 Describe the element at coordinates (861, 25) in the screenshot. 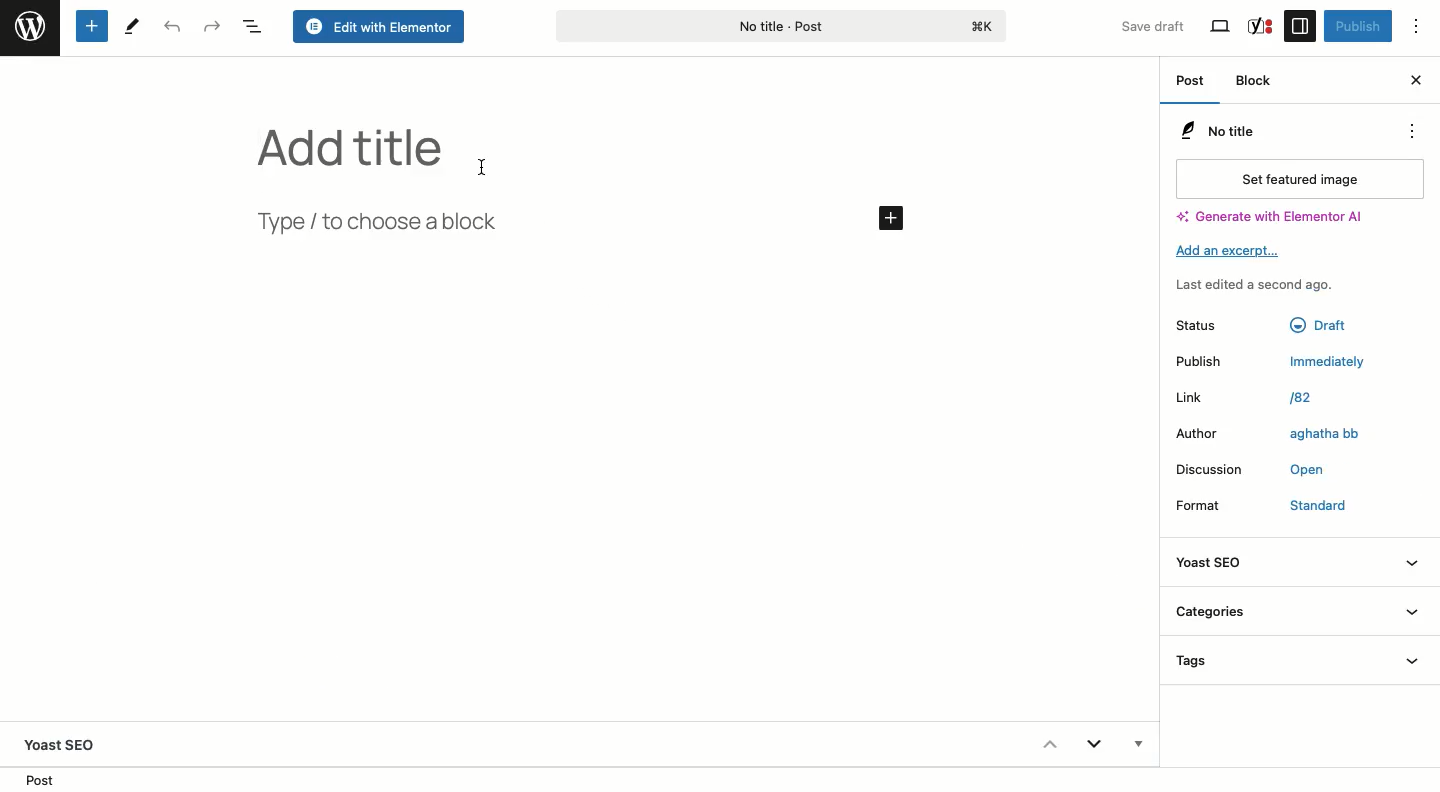

I see `No title - Post ` at that location.